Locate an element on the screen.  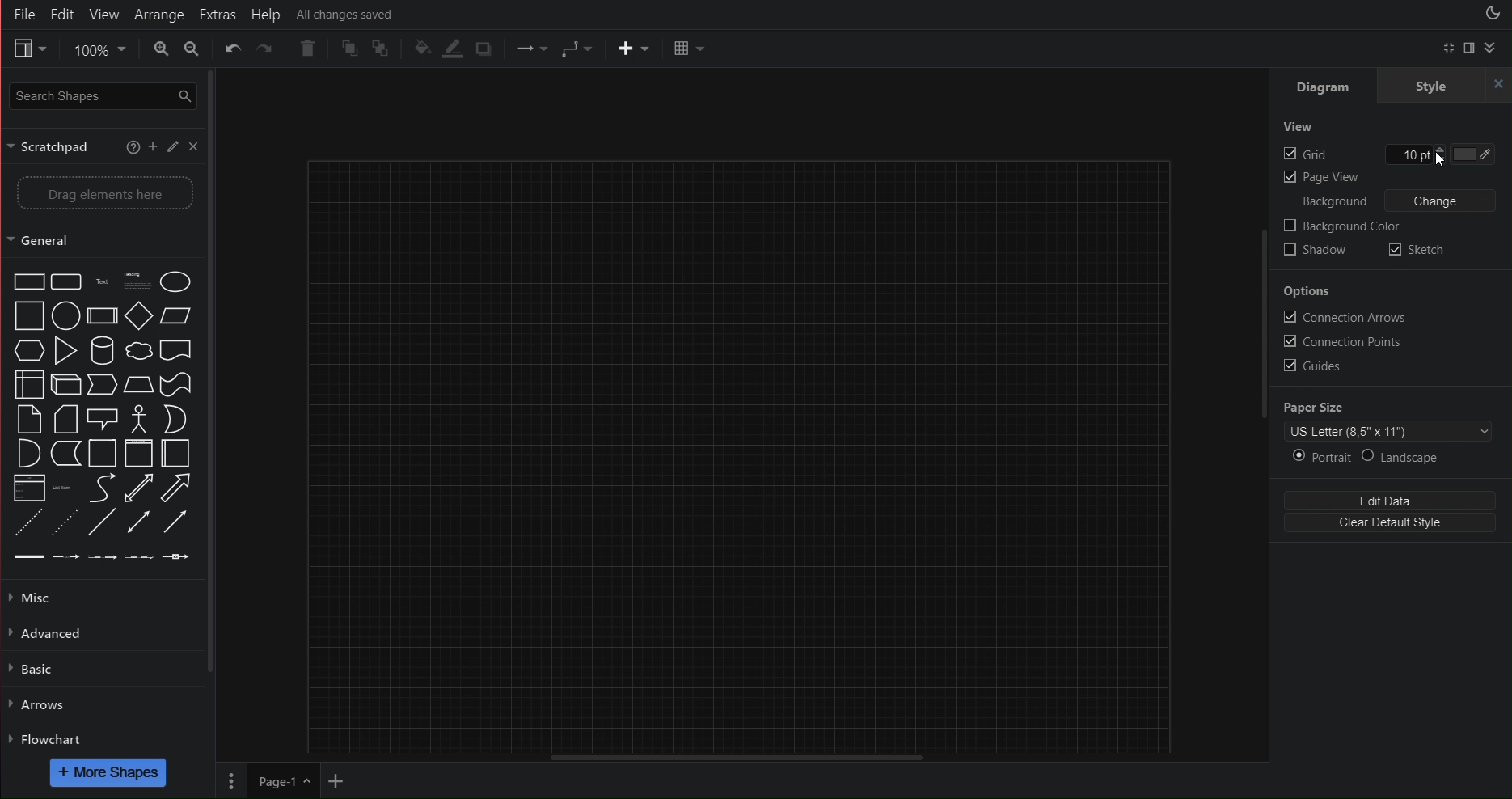
Flowchart is located at coordinates (47, 738).